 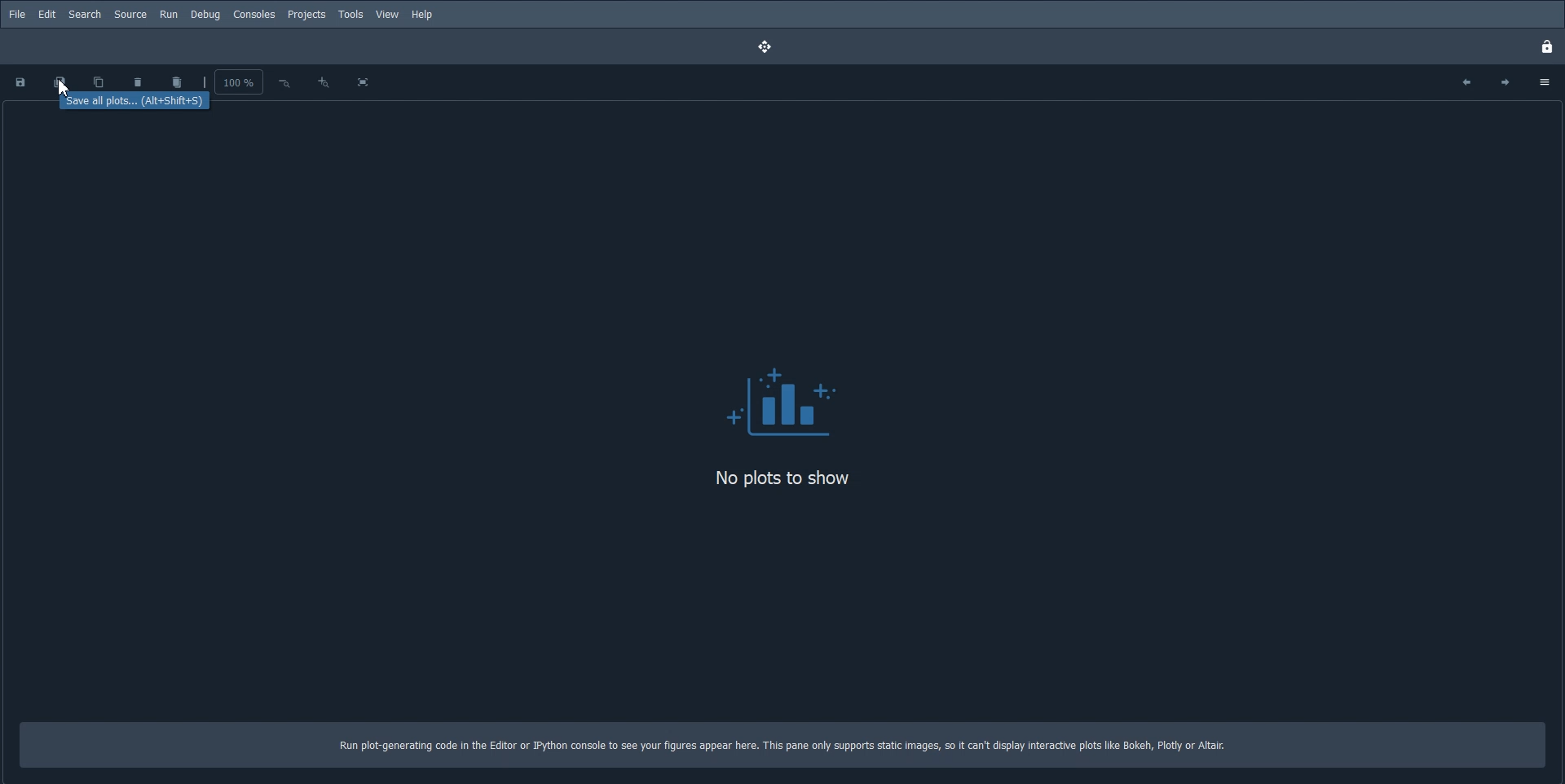 What do you see at coordinates (1547, 82) in the screenshot?
I see `Option` at bounding box center [1547, 82].